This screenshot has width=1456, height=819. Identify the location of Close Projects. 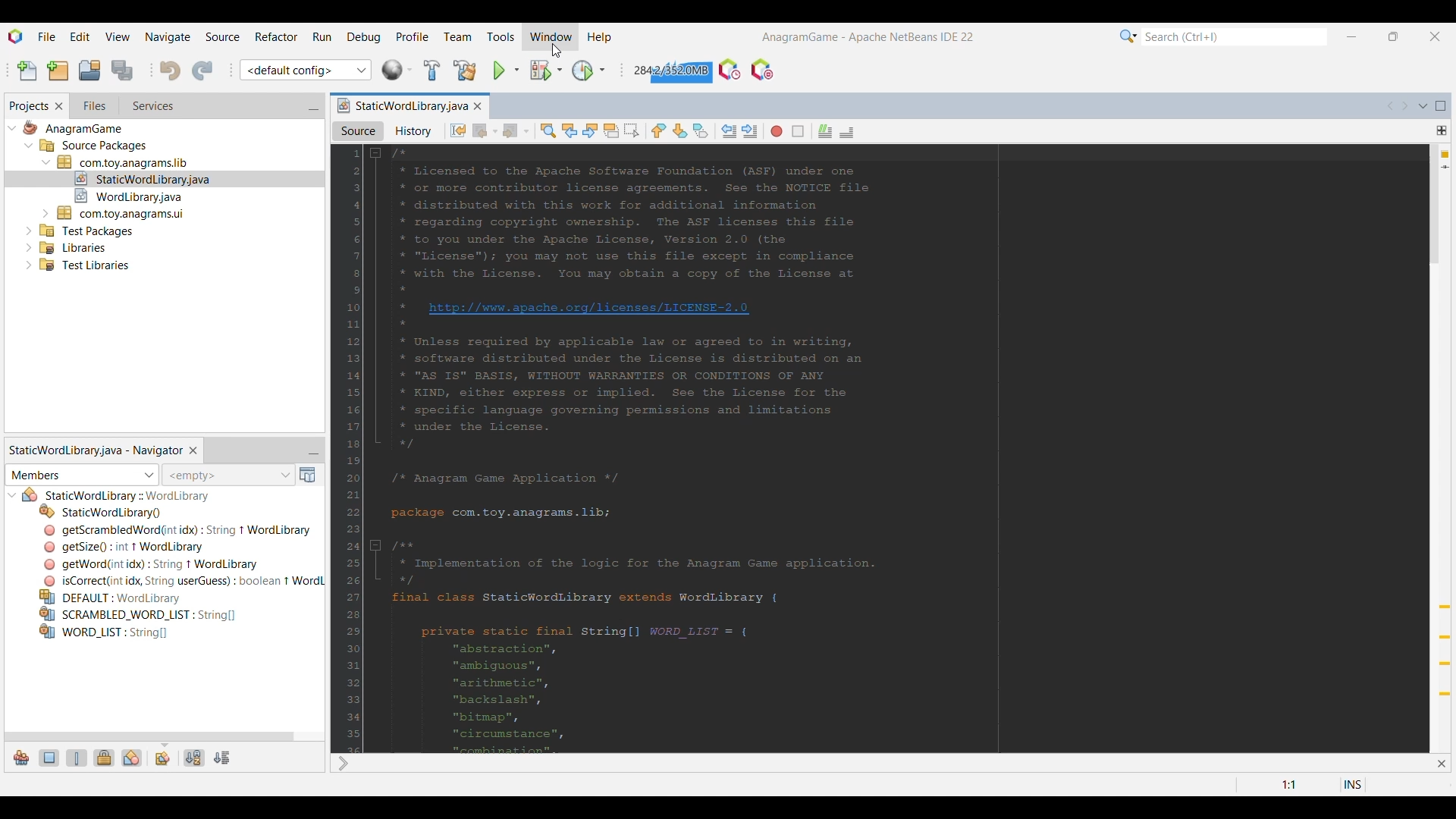
(59, 106).